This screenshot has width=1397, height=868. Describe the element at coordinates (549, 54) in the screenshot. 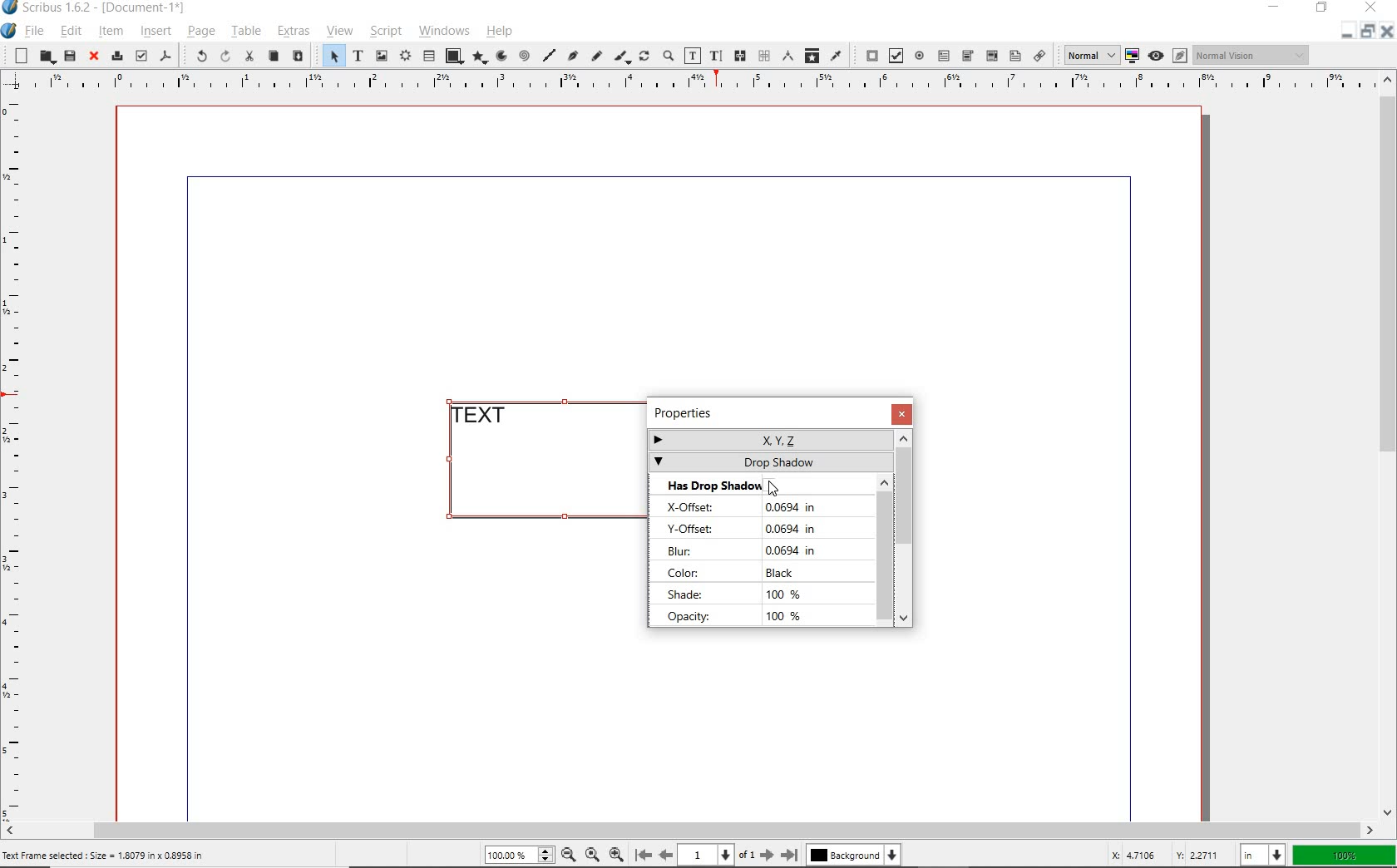

I see `line` at that location.